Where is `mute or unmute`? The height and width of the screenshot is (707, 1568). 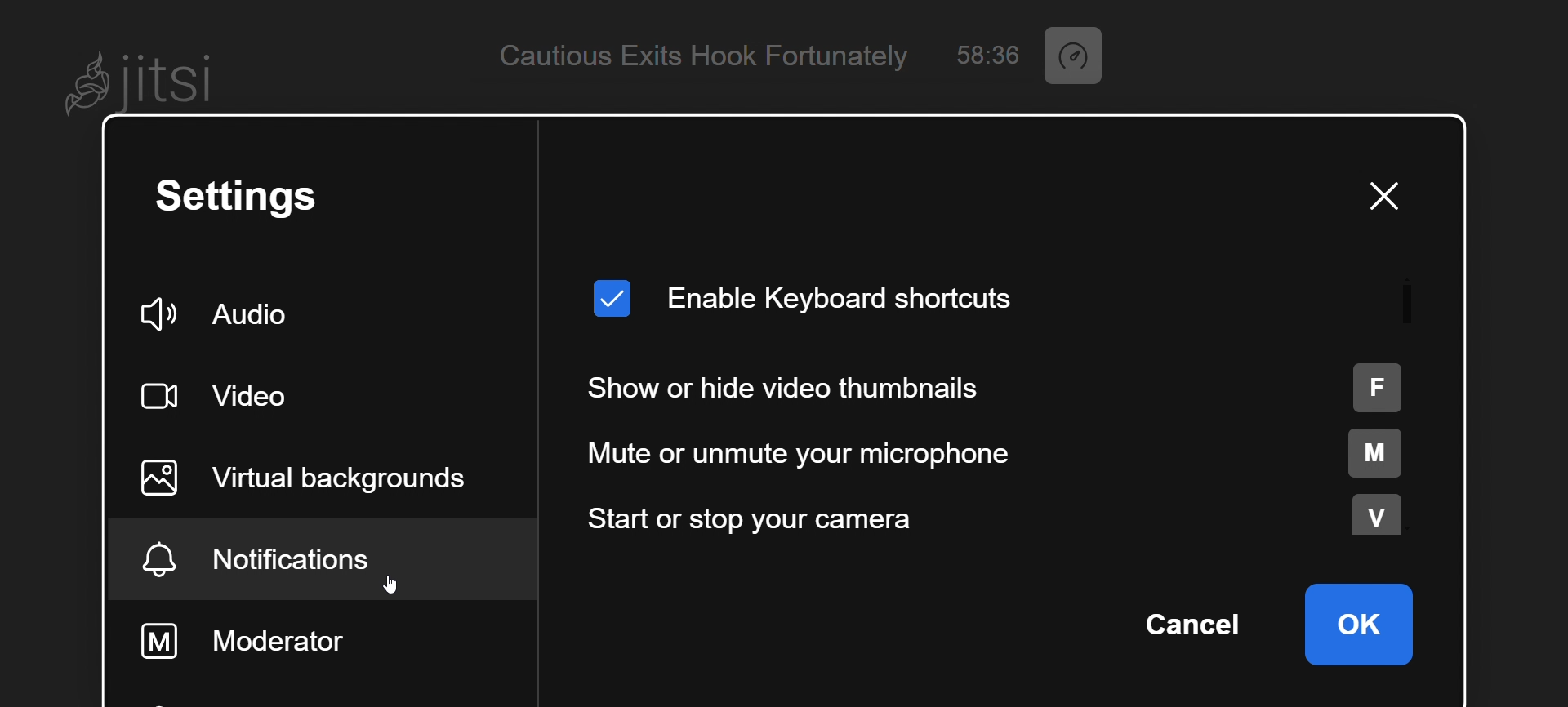
mute or unmute is located at coordinates (991, 456).